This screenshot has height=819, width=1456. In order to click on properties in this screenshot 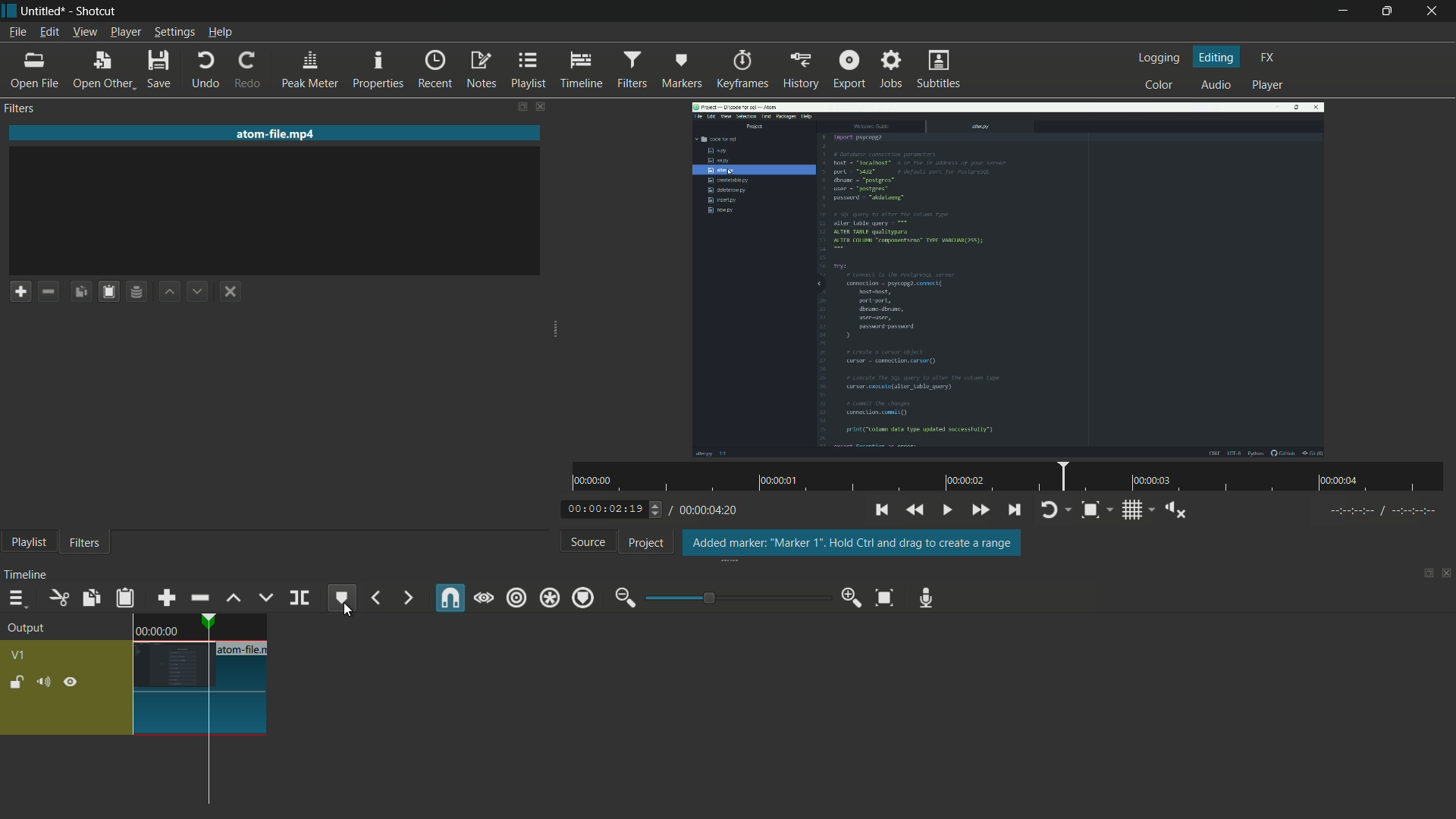, I will do `click(377, 71)`.